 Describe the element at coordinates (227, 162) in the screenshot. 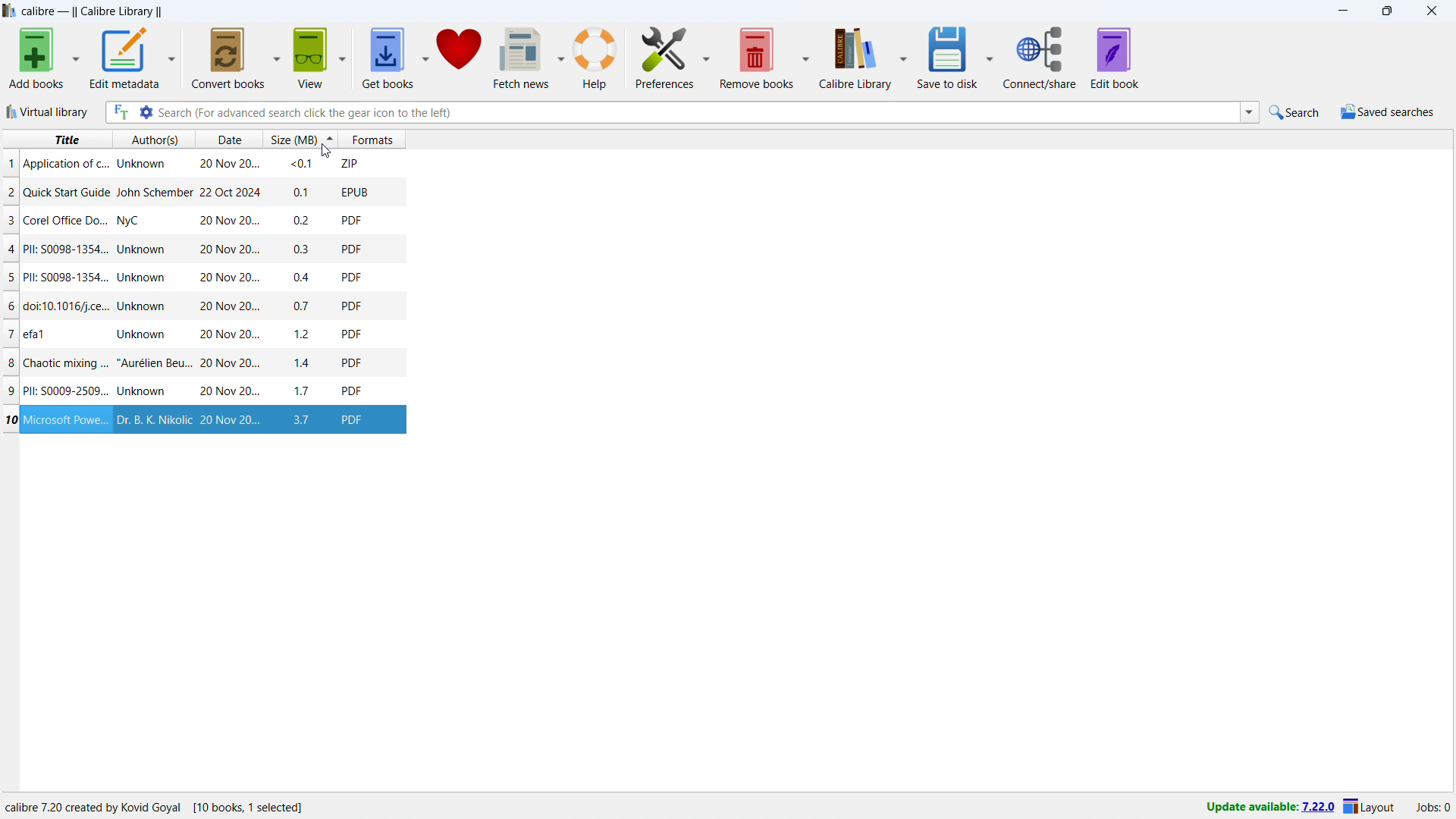

I see `date` at that location.